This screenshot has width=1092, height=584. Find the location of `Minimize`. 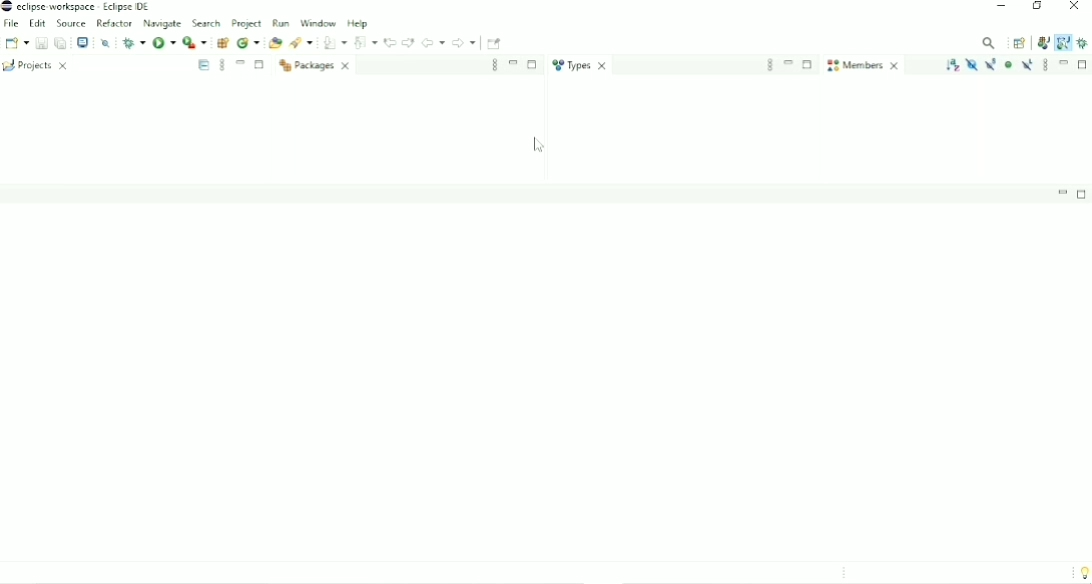

Minimize is located at coordinates (239, 62).